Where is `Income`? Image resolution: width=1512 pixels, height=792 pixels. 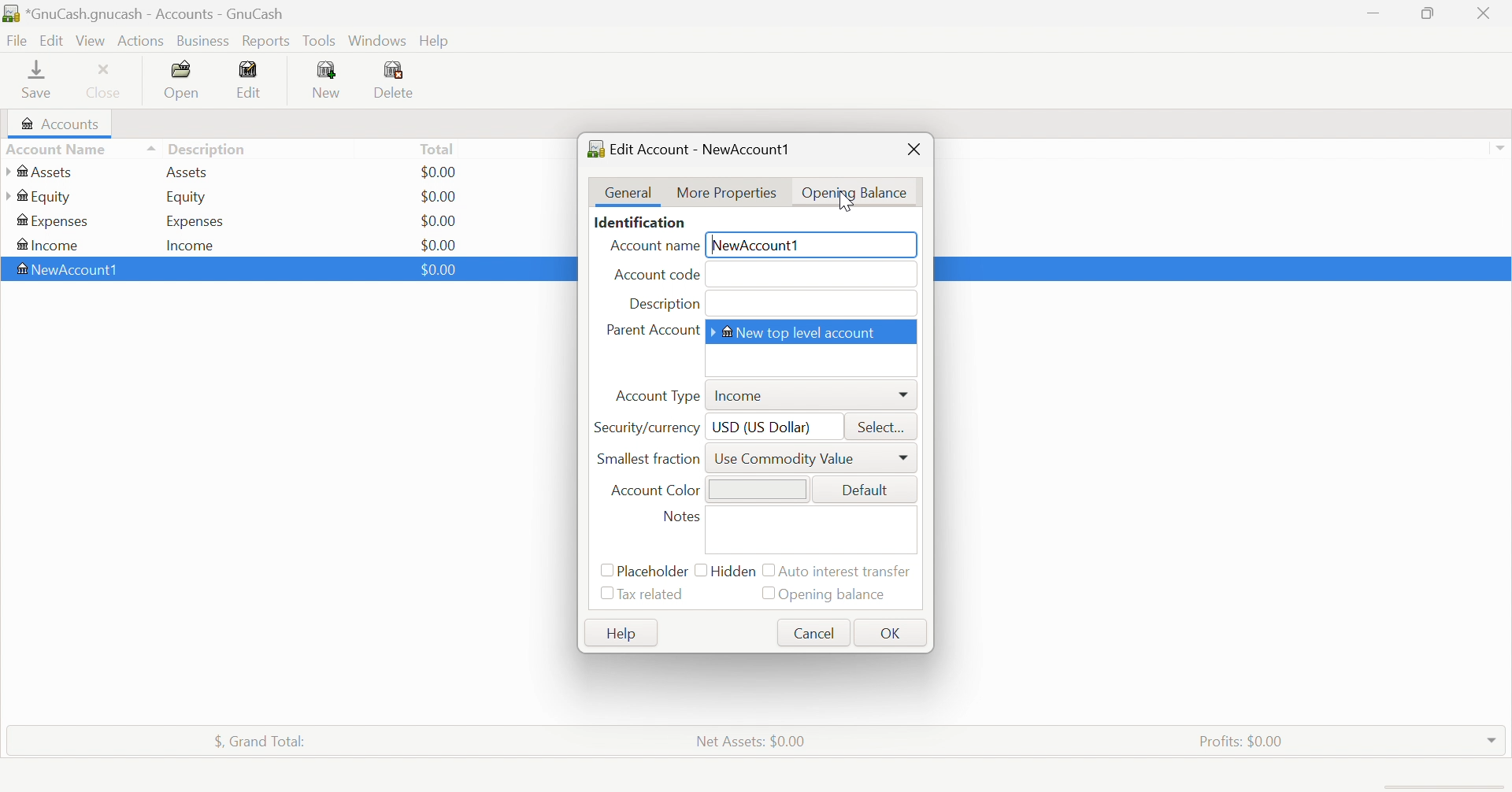
Income is located at coordinates (196, 244).